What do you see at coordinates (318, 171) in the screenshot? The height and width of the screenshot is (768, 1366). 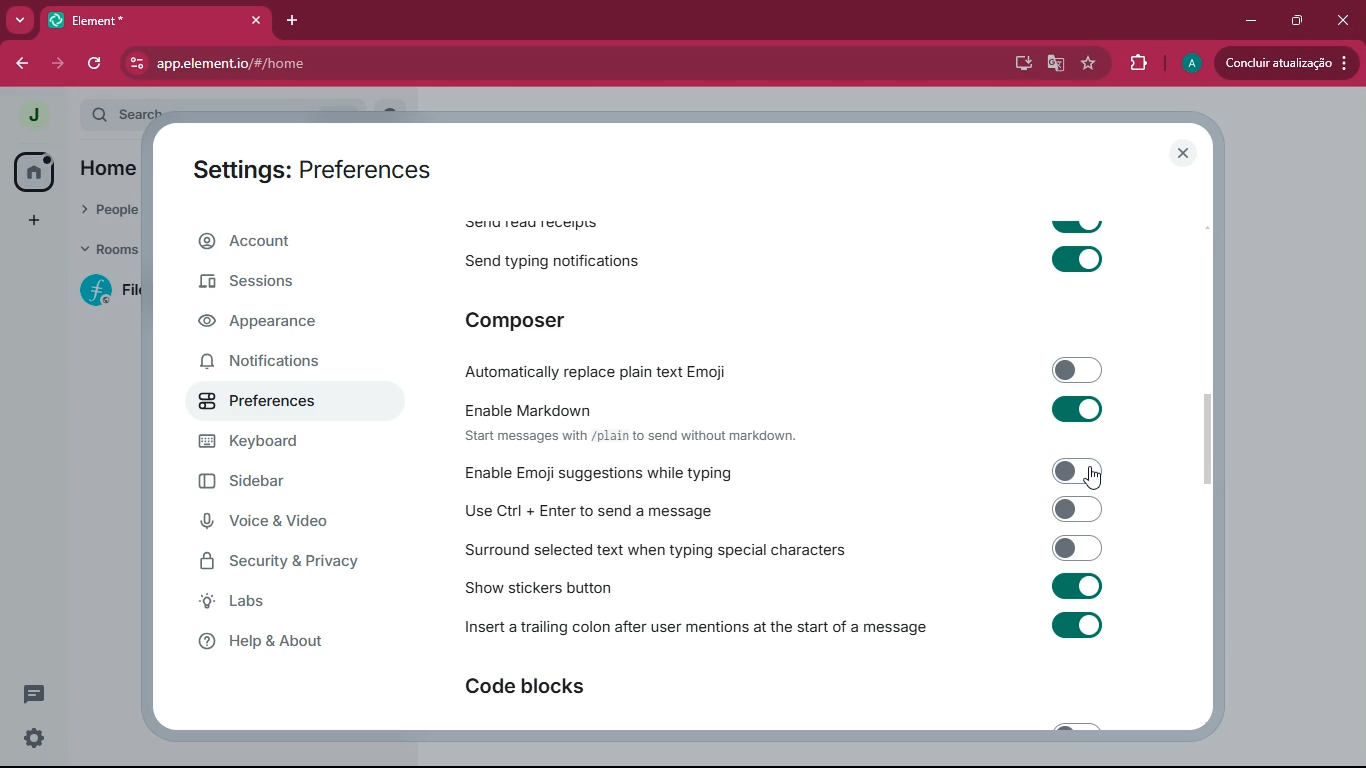 I see `settings: preferences` at bounding box center [318, 171].